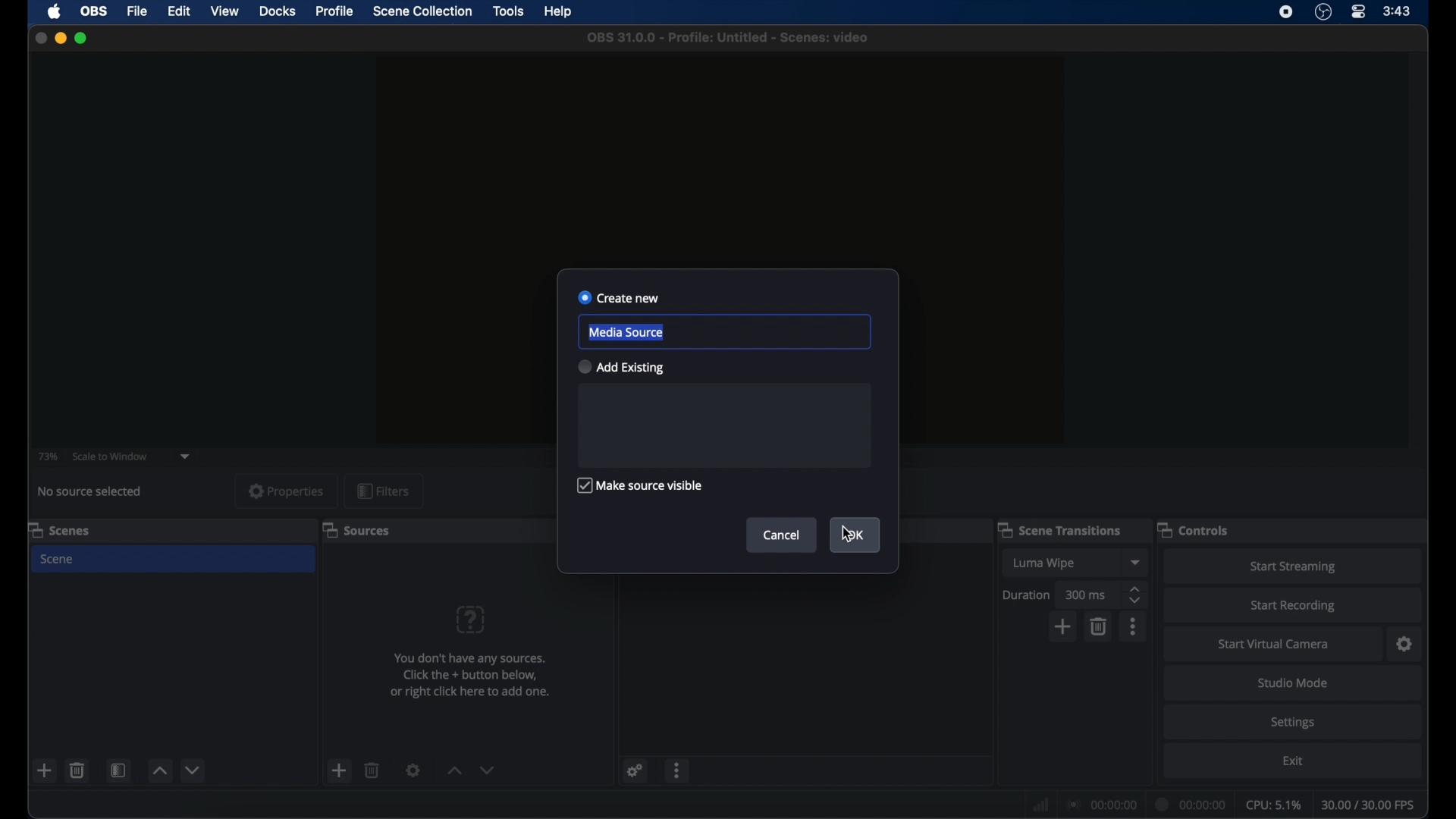 The width and height of the screenshot is (1456, 819). I want to click on scene filters, so click(119, 770).